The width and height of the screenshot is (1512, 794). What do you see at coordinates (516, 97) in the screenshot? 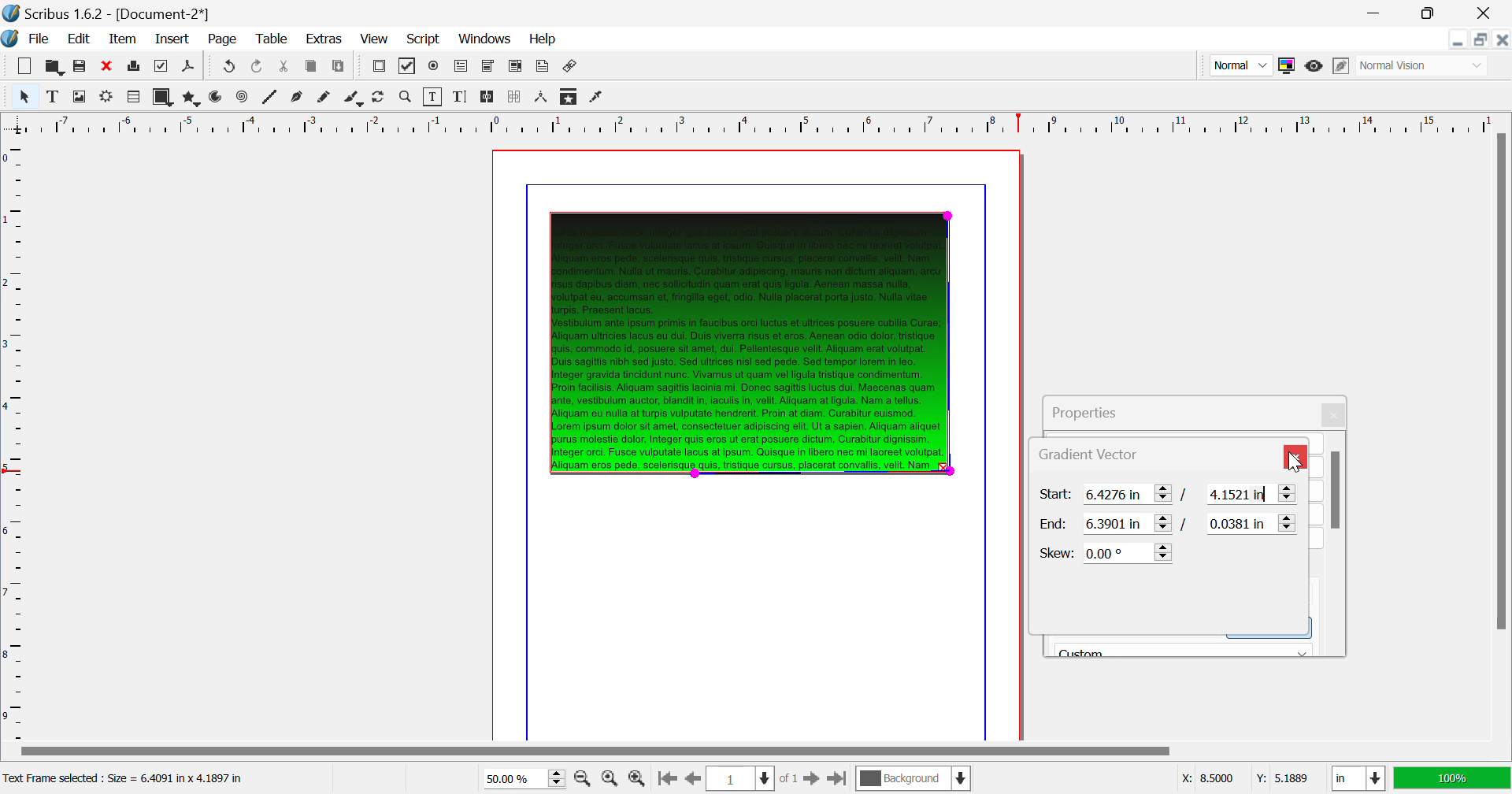
I see `Delink Frames` at bounding box center [516, 97].